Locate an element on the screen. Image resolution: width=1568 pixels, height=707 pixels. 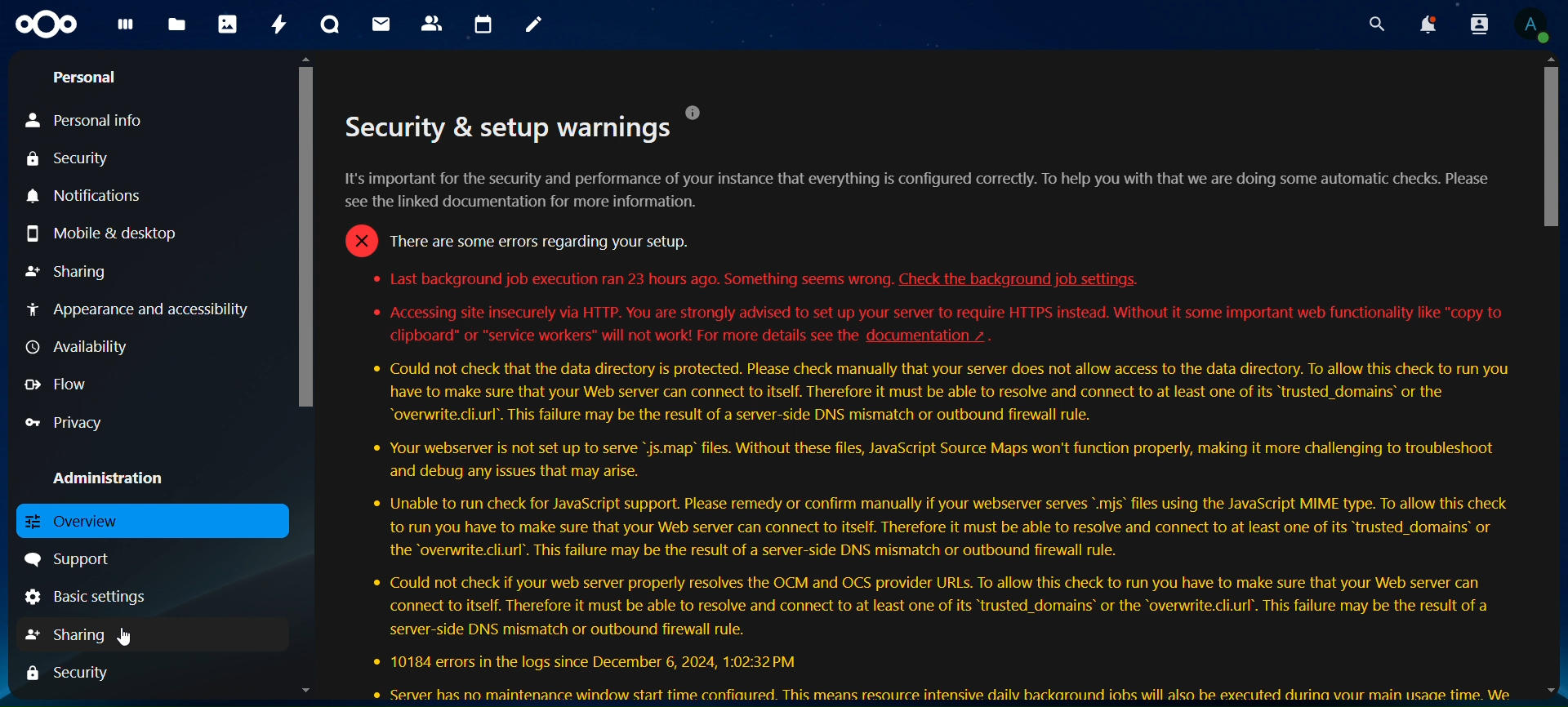
privacy is located at coordinates (72, 422).